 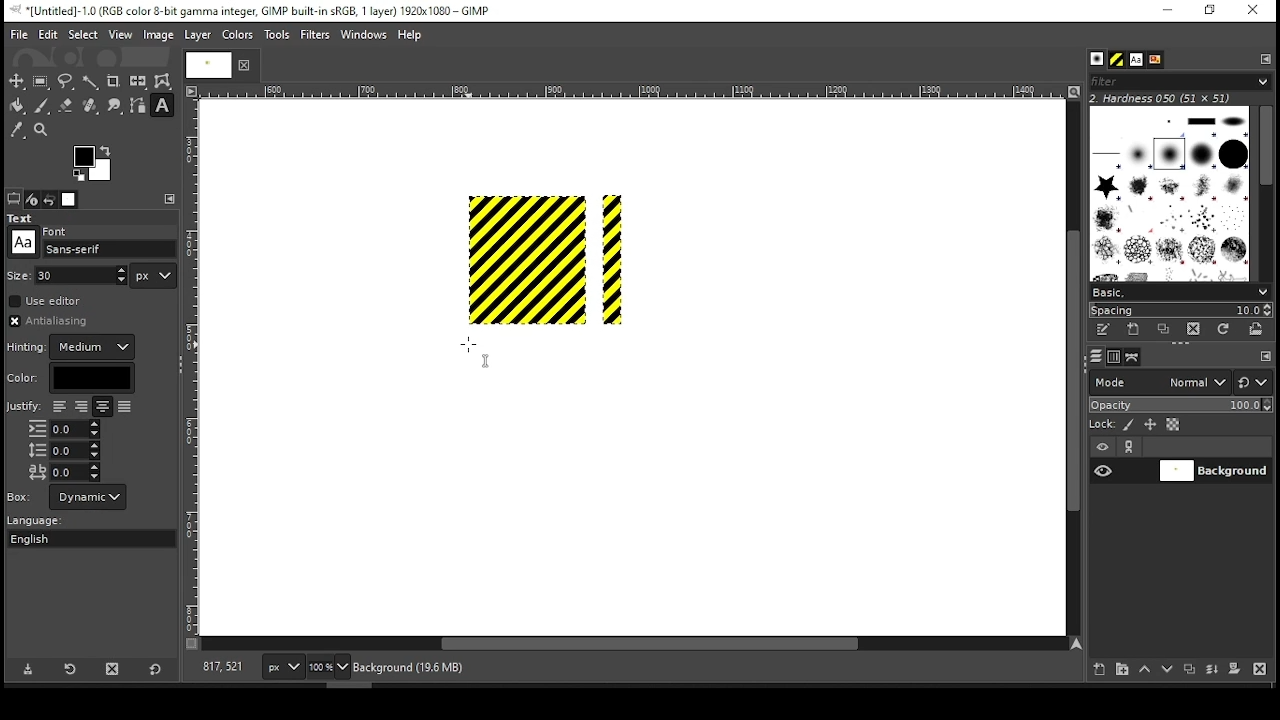 What do you see at coordinates (116, 106) in the screenshot?
I see `smudge tool` at bounding box center [116, 106].